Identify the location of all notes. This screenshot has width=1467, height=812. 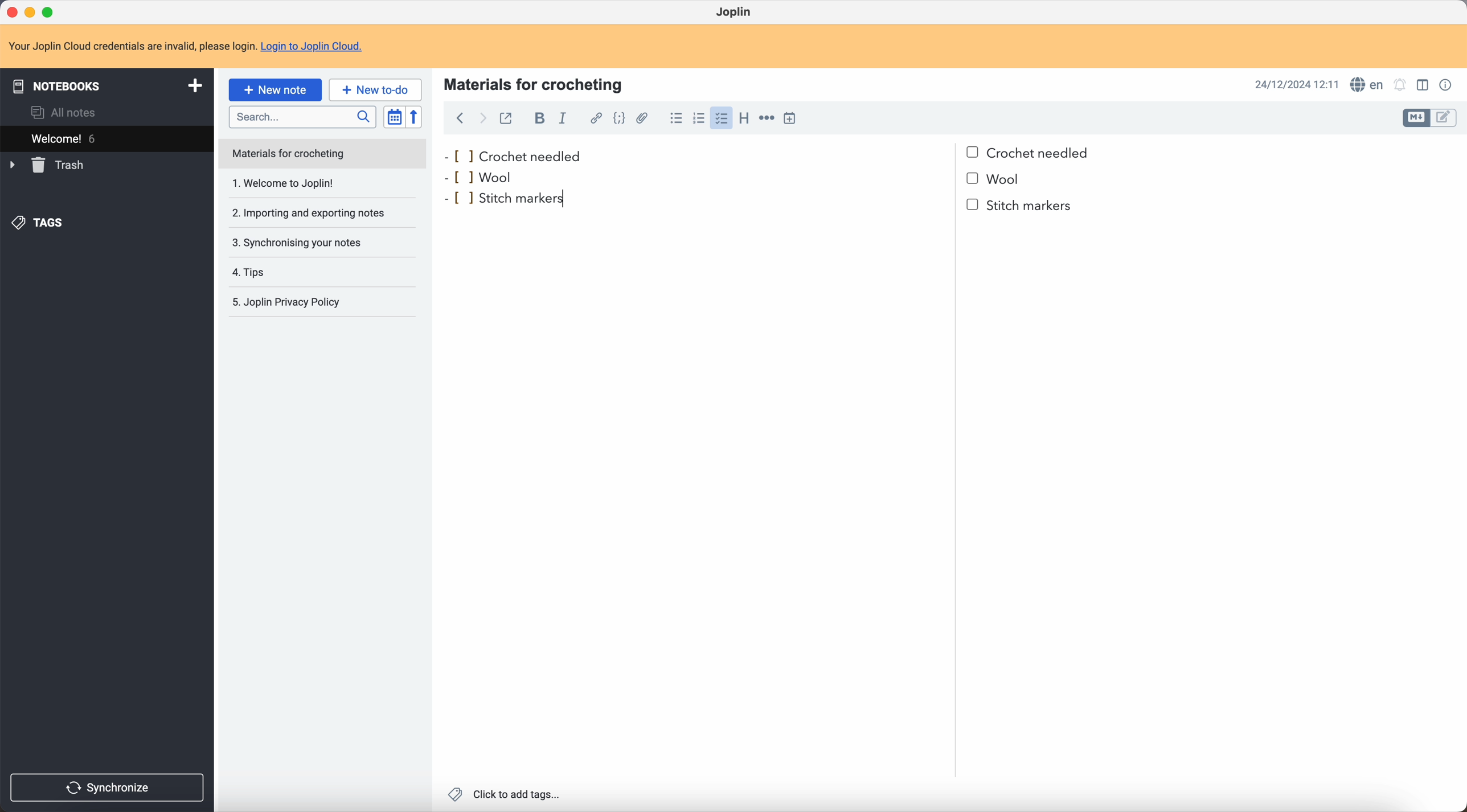
(67, 112).